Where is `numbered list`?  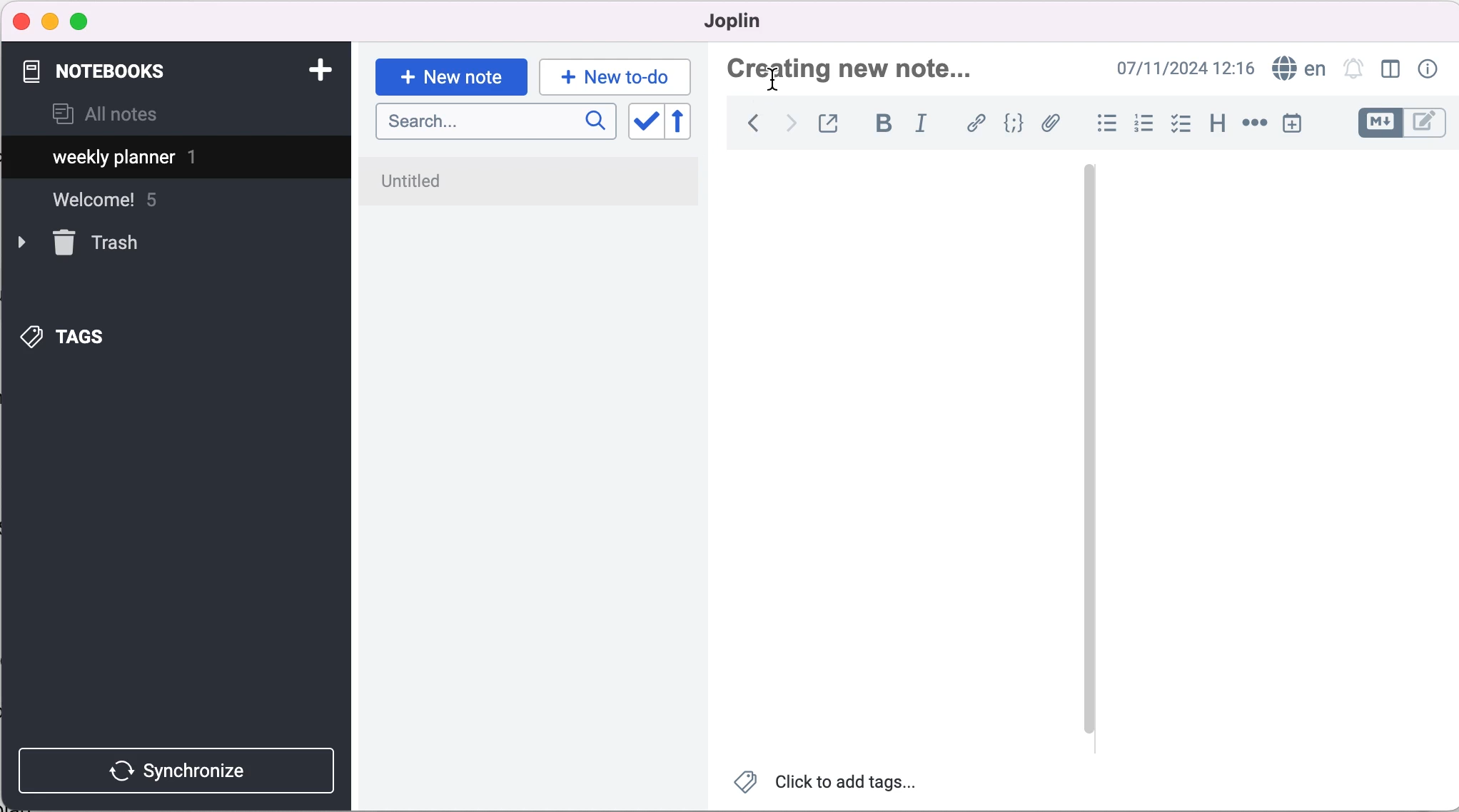
numbered list is located at coordinates (1143, 126).